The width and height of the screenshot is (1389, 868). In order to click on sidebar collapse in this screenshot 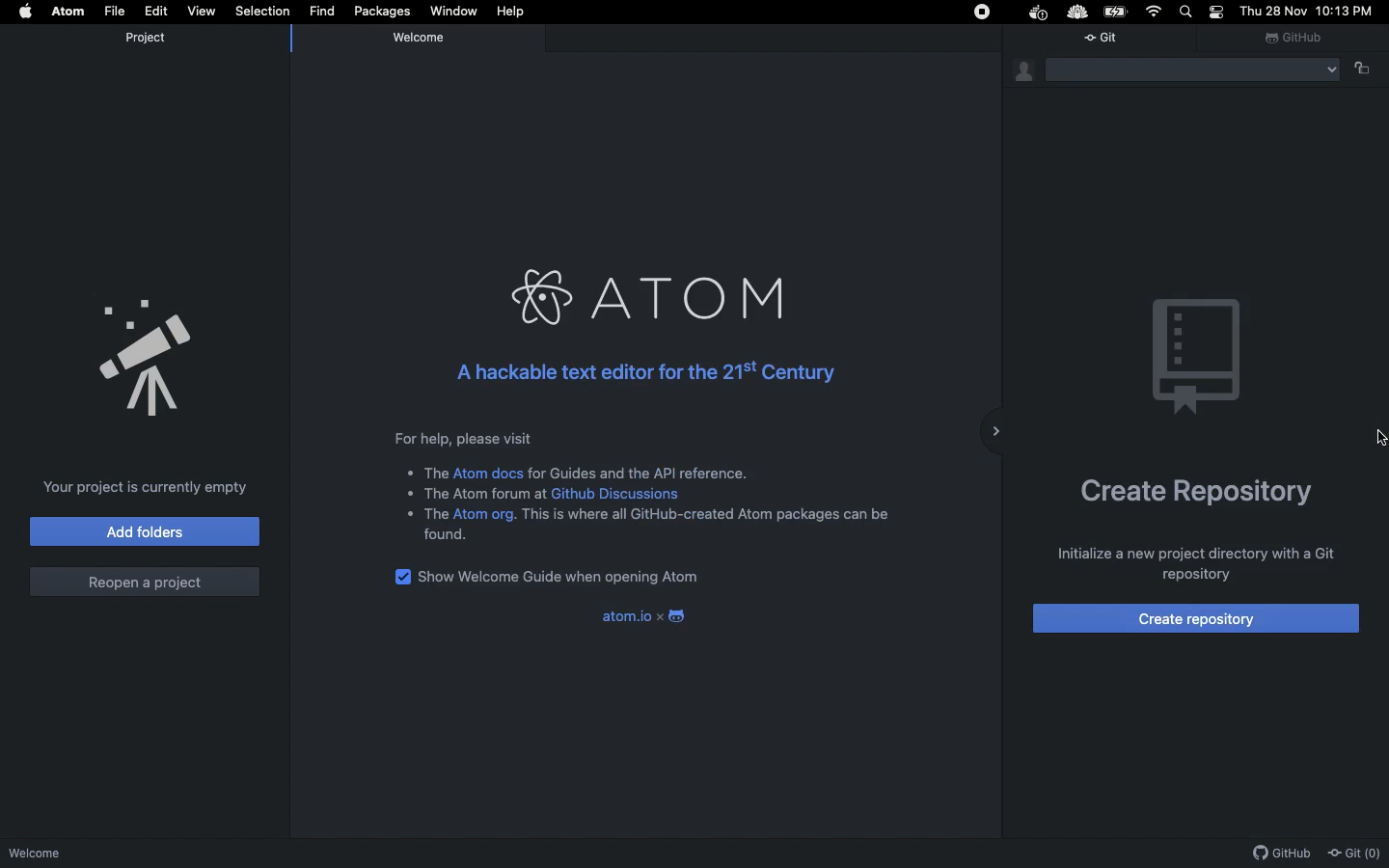, I will do `click(998, 435)`.